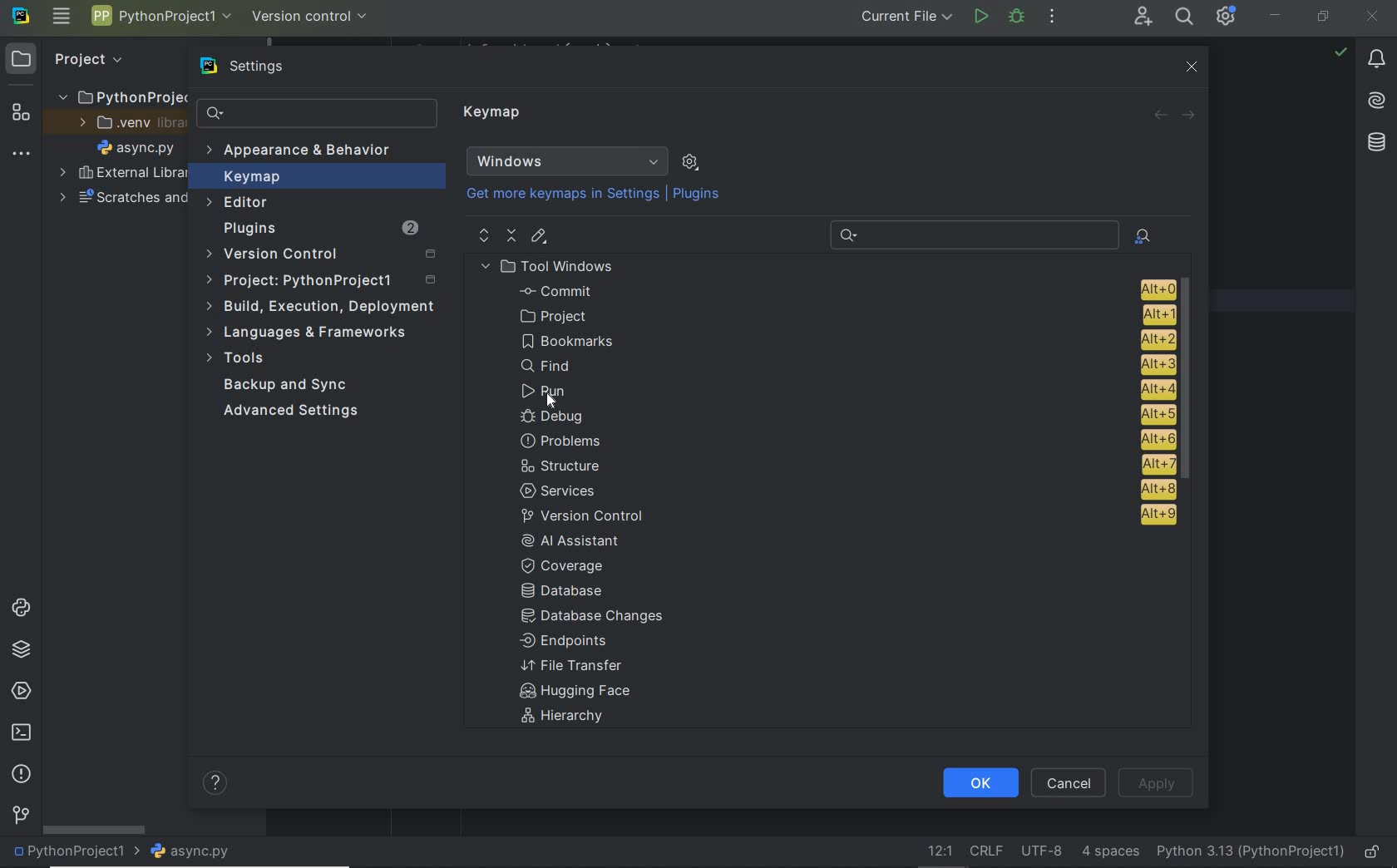 The height and width of the screenshot is (868, 1397). What do you see at coordinates (843, 515) in the screenshot?
I see `version control` at bounding box center [843, 515].